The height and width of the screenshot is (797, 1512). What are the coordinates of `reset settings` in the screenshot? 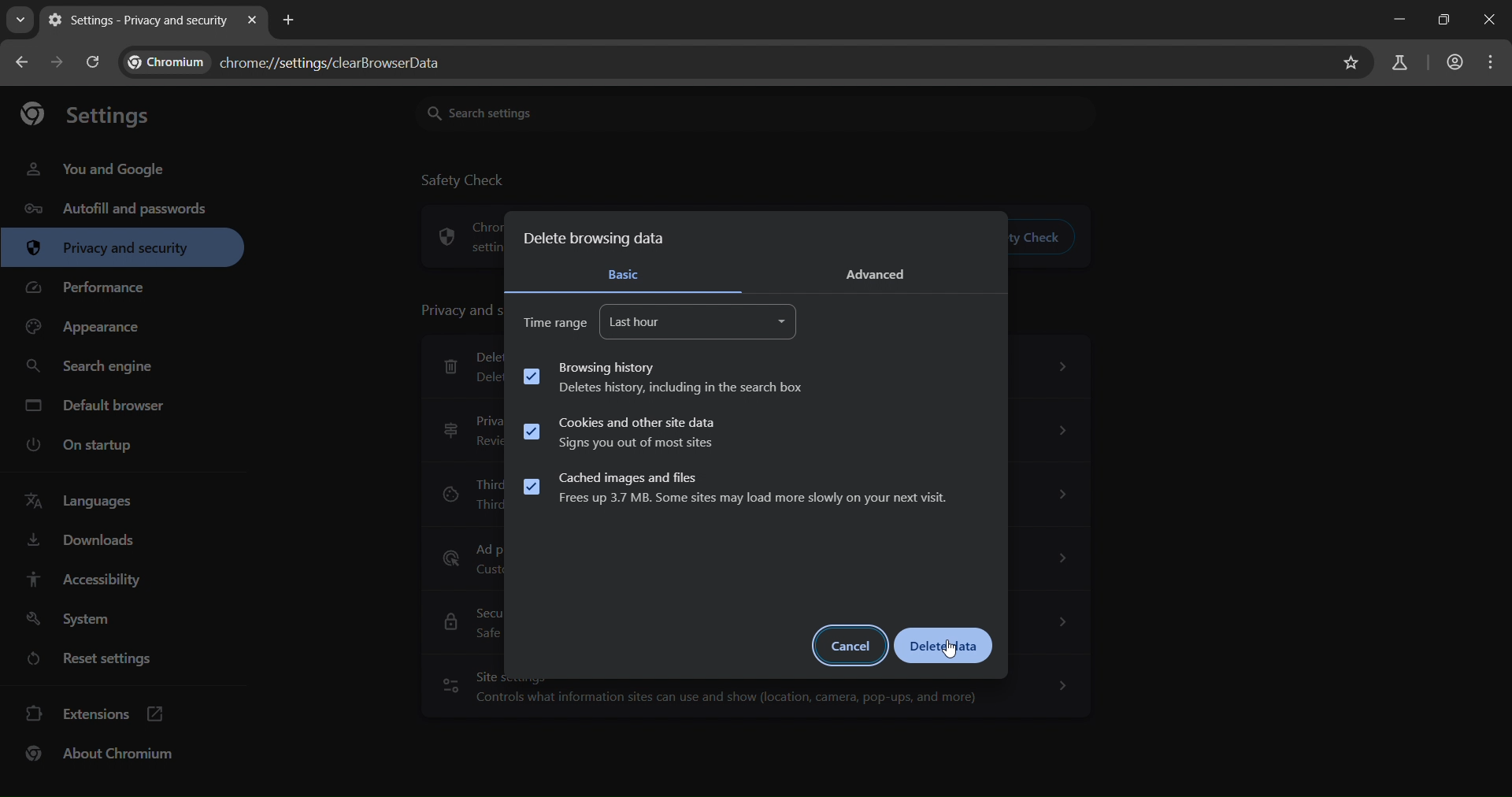 It's located at (114, 660).